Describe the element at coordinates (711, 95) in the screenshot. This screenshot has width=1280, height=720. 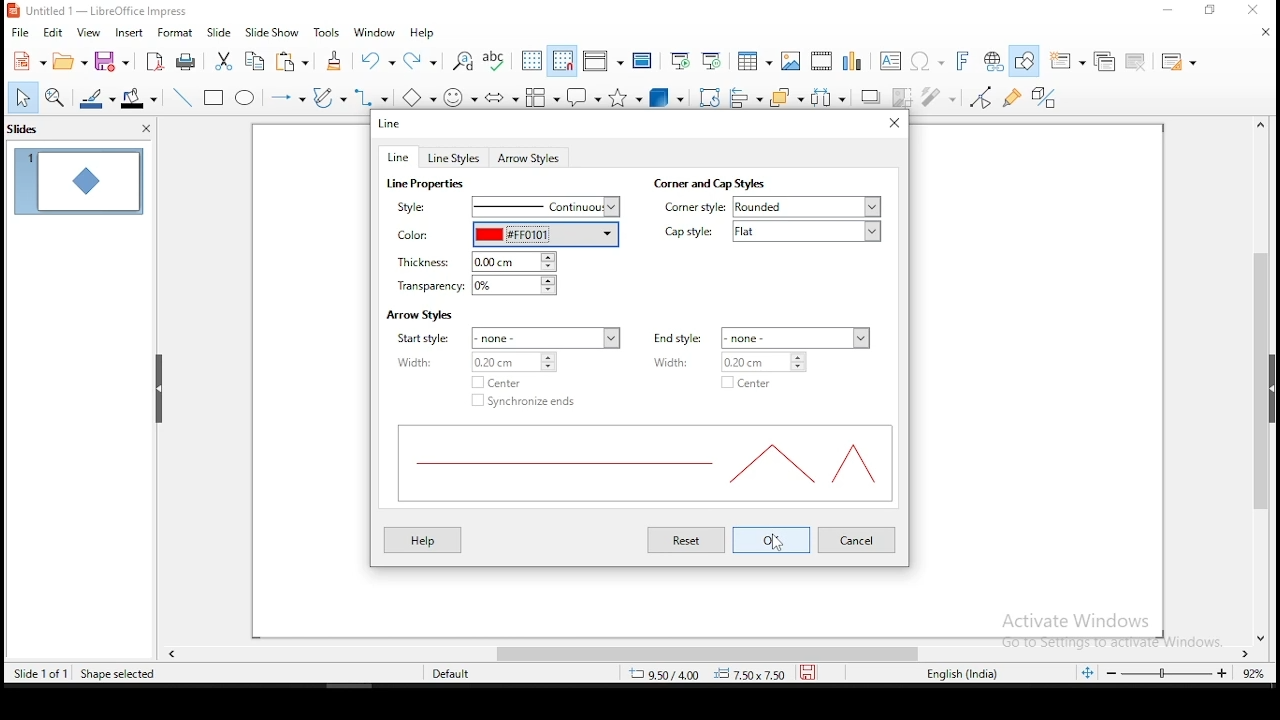
I see `rotate` at that location.